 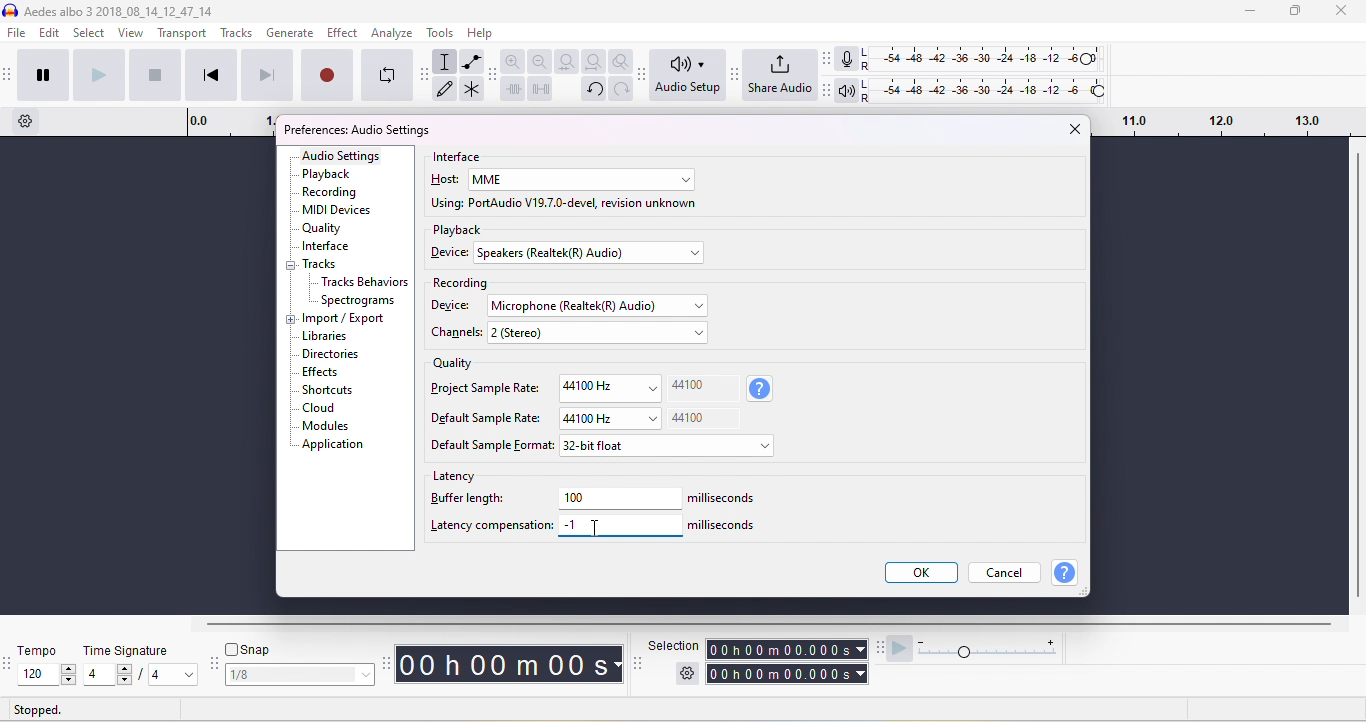 What do you see at coordinates (441, 32) in the screenshot?
I see `tools` at bounding box center [441, 32].